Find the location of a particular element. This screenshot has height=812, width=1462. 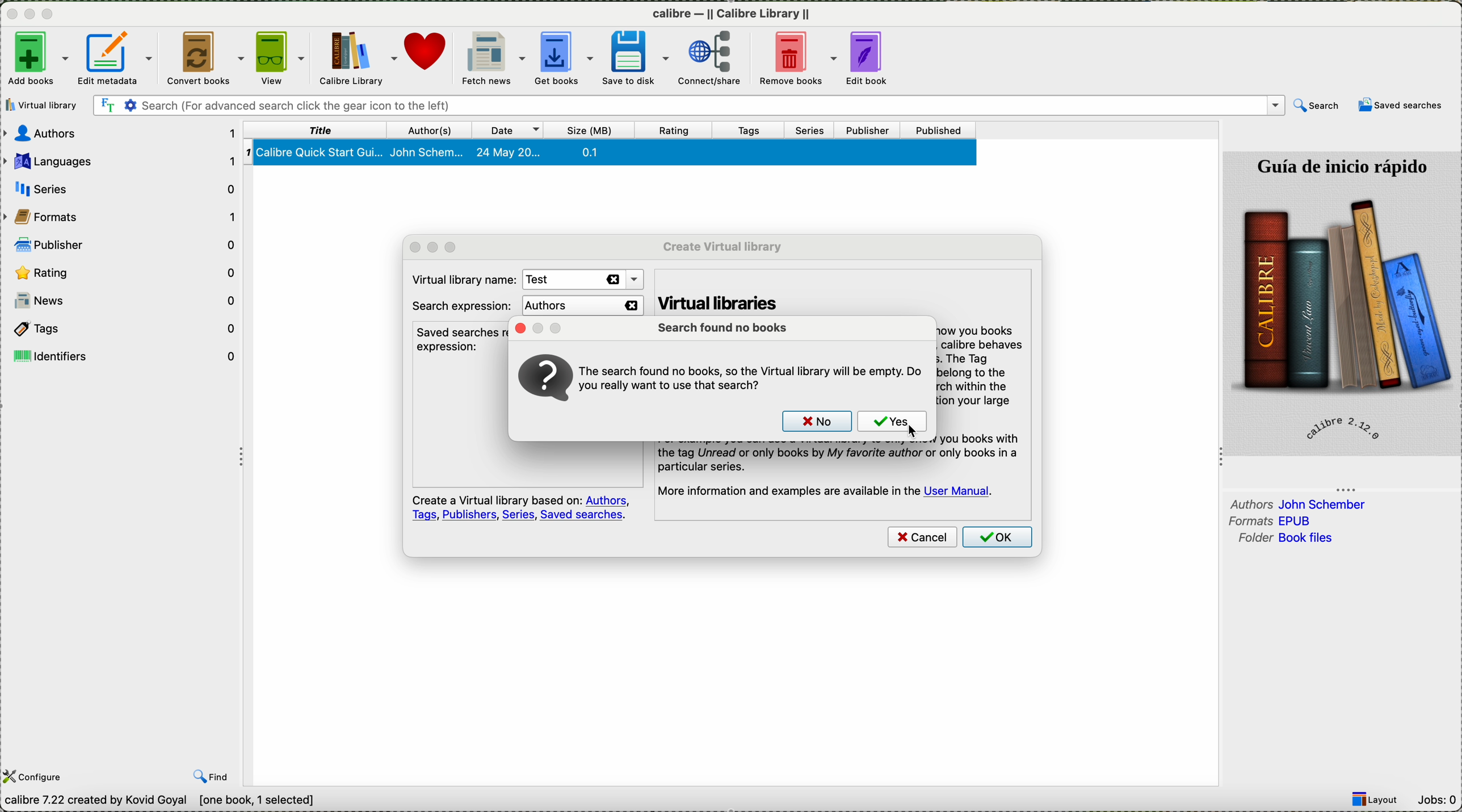

minimze is located at coordinates (431, 247).